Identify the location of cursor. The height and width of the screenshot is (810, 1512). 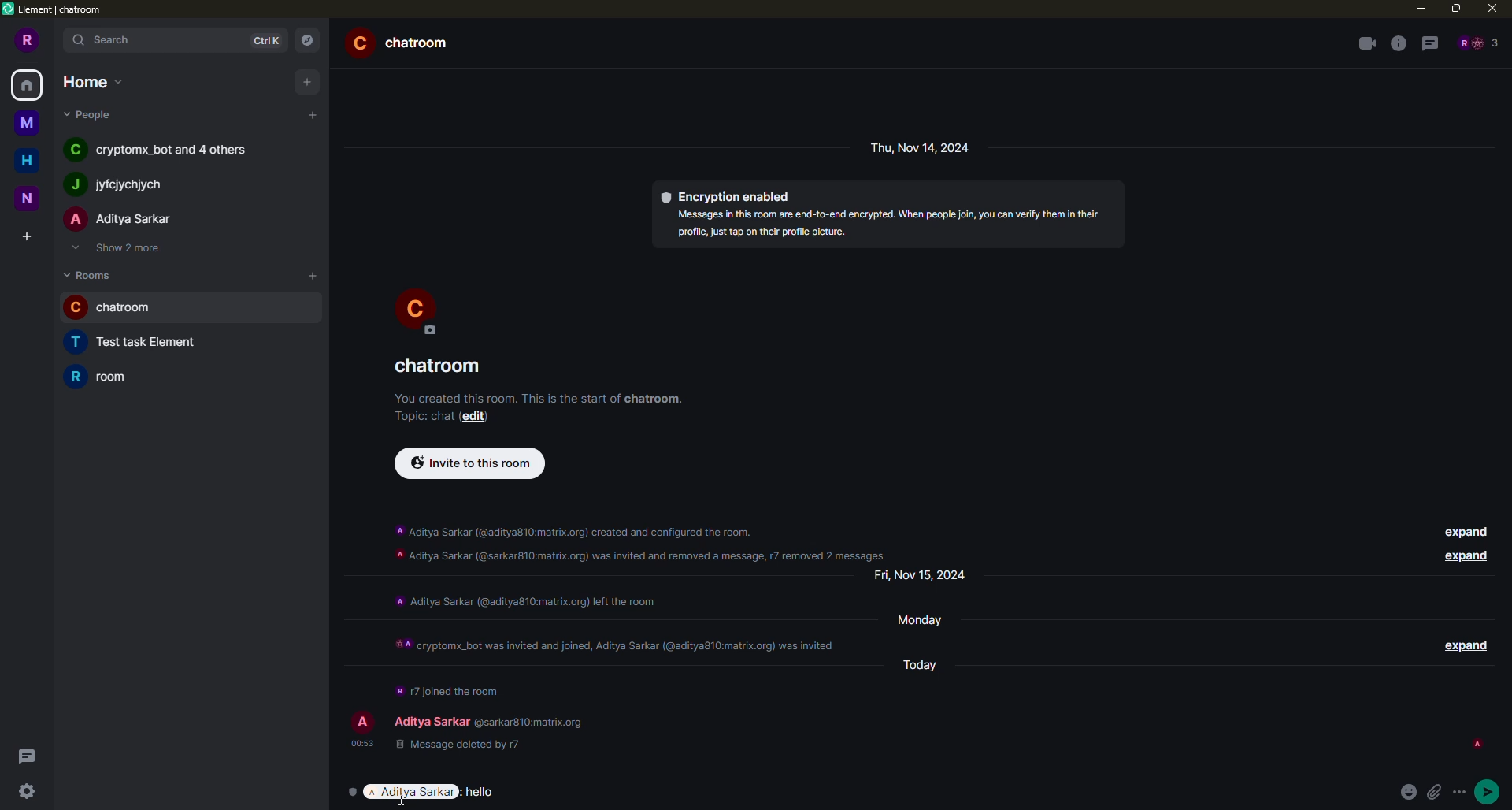
(403, 802).